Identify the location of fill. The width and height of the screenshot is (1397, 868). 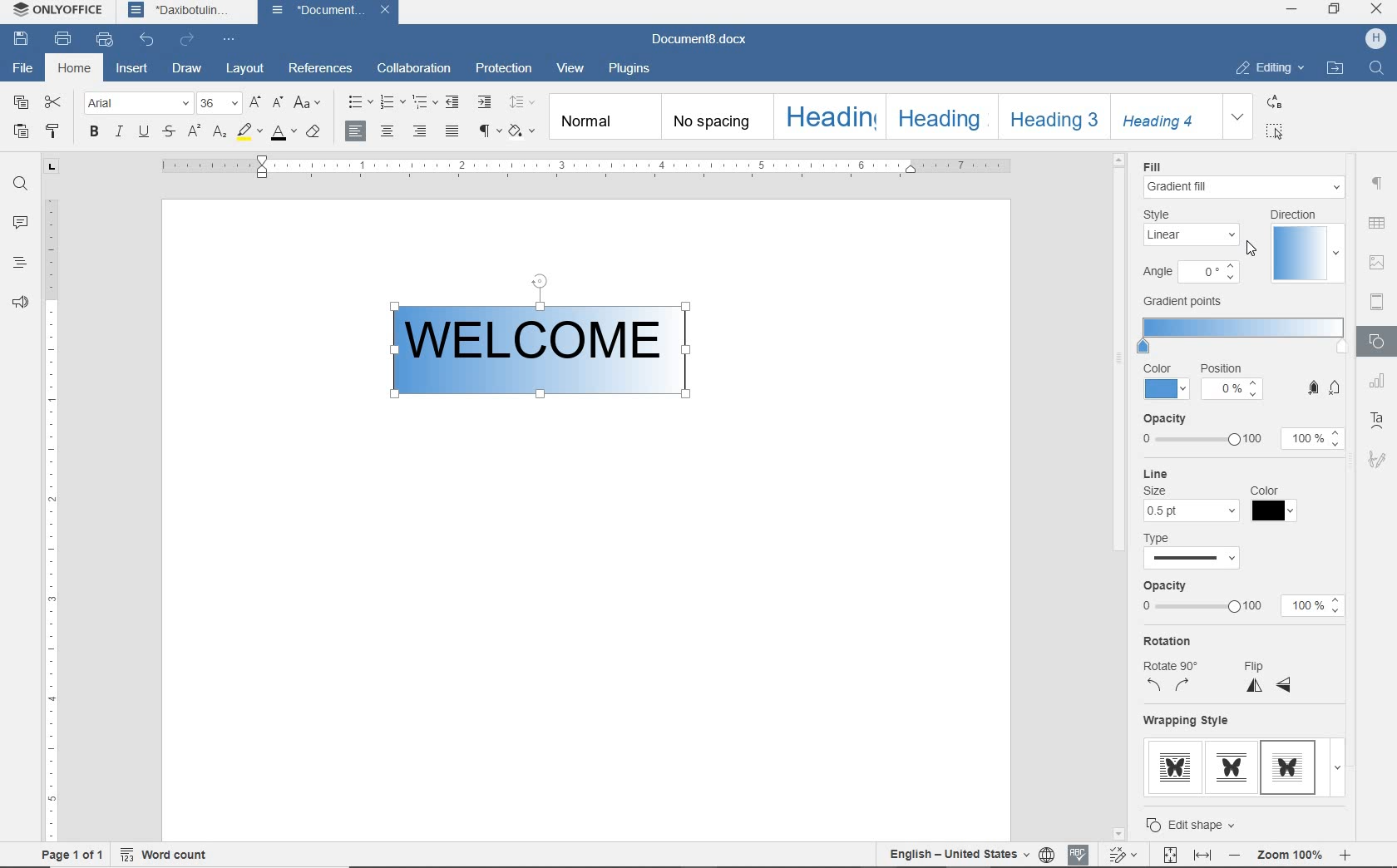
(1243, 187).